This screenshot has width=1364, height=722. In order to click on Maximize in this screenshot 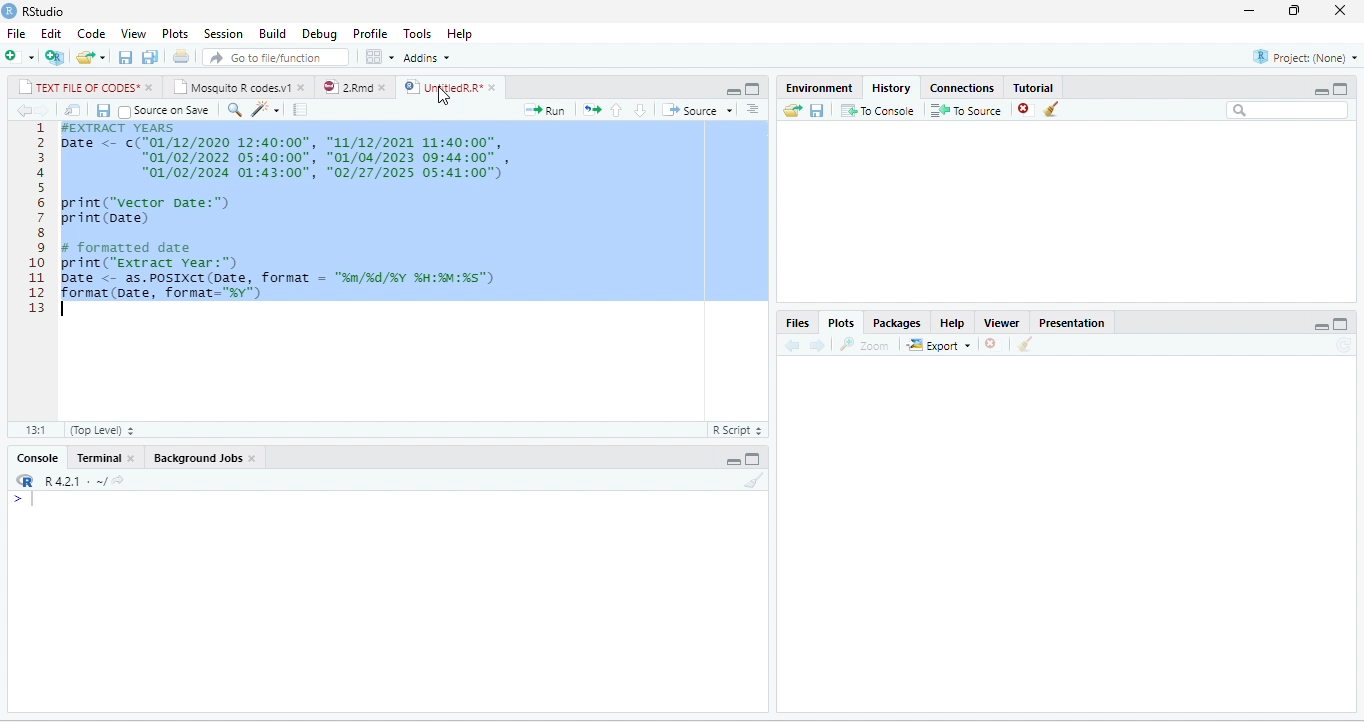, I will do `click(1340, 89)`.